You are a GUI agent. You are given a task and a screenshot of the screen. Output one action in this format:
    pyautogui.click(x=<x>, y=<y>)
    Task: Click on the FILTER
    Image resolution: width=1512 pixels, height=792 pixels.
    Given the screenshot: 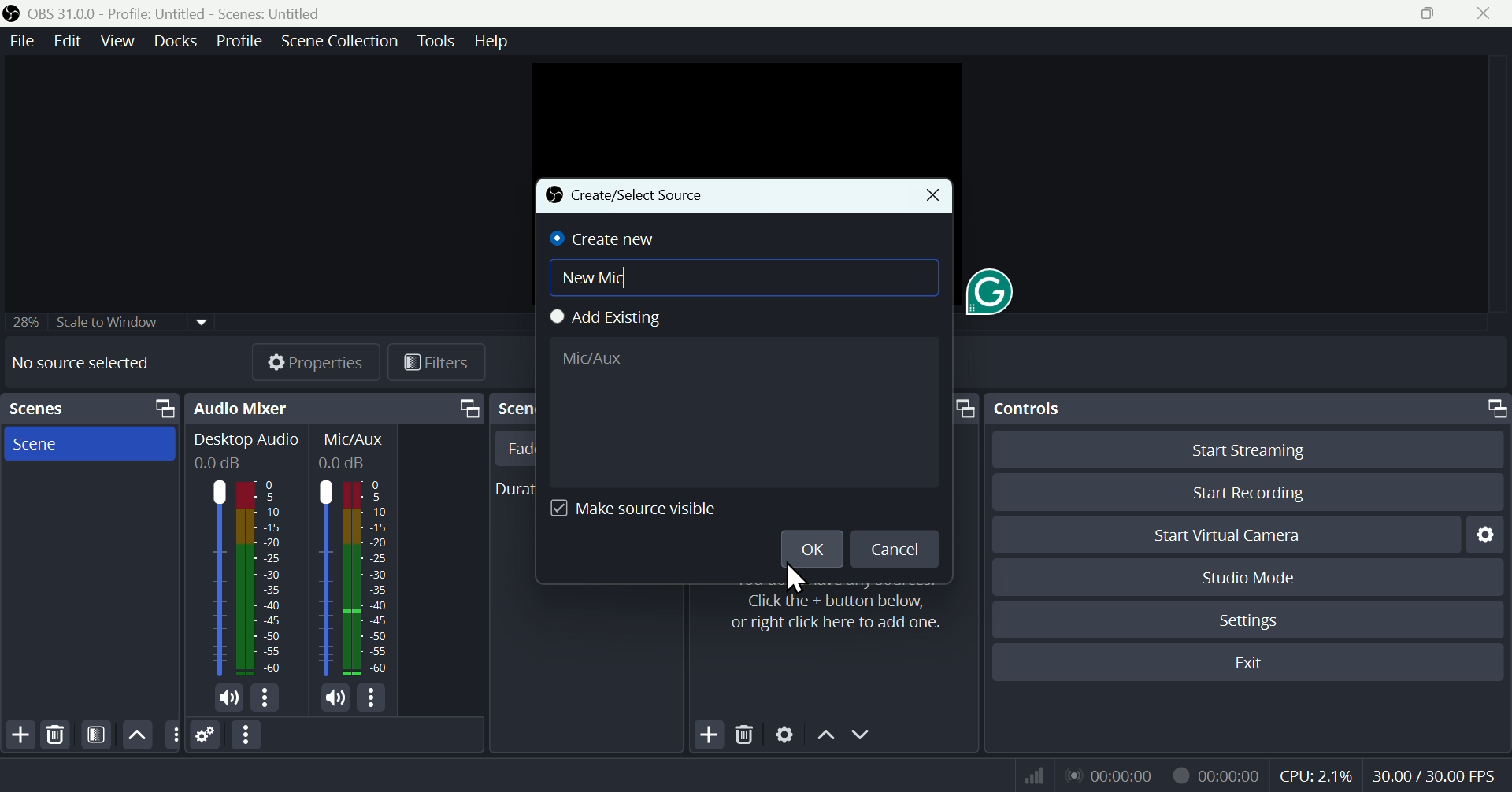 What is the action you would take?
    pyautogui.click(x=94, y=735)
    